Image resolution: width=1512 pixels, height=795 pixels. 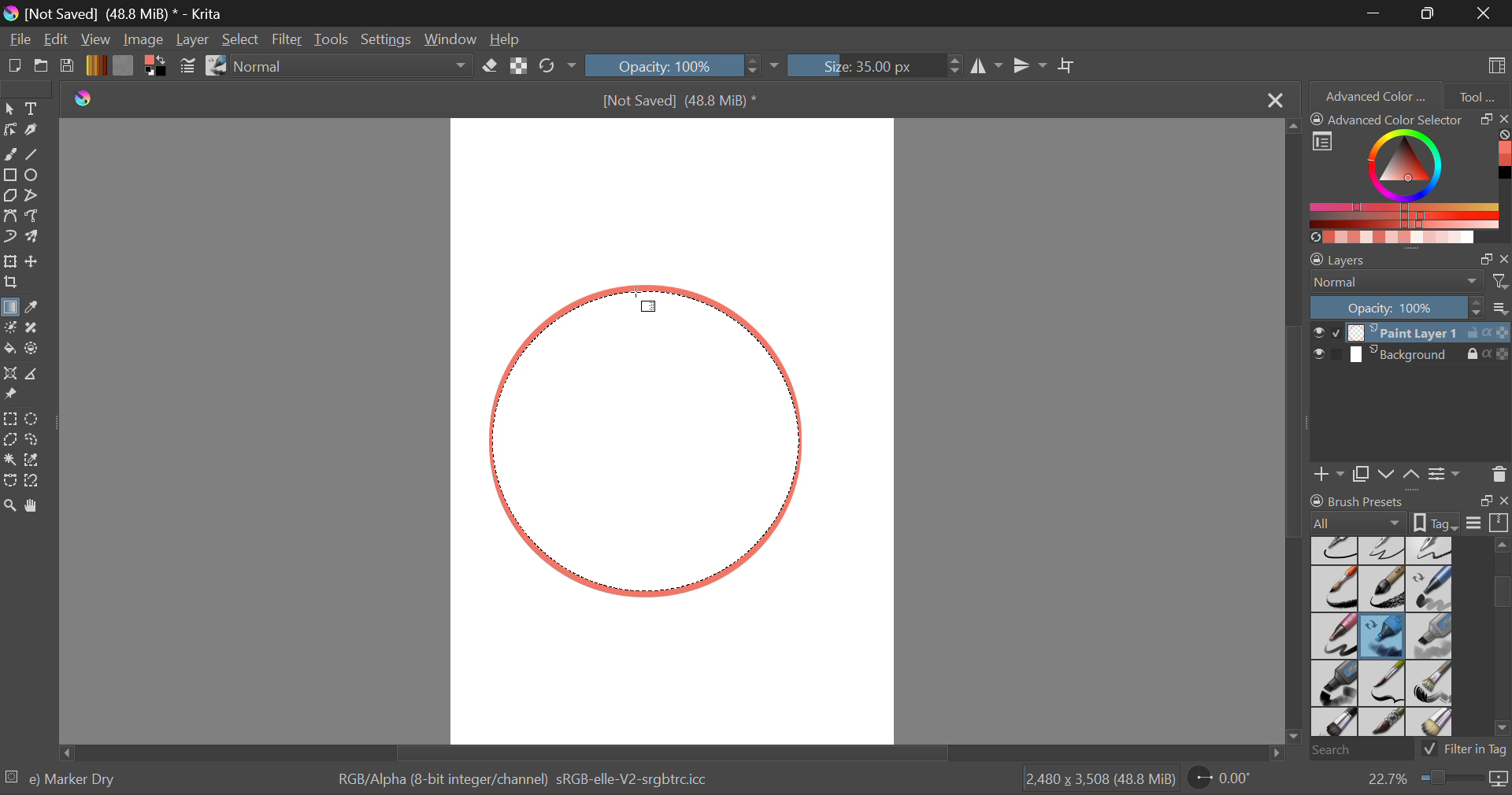 What do you see at coordinates (9, 457) in the screenshot?
I see `Tool` at bounding box center [9, 457].